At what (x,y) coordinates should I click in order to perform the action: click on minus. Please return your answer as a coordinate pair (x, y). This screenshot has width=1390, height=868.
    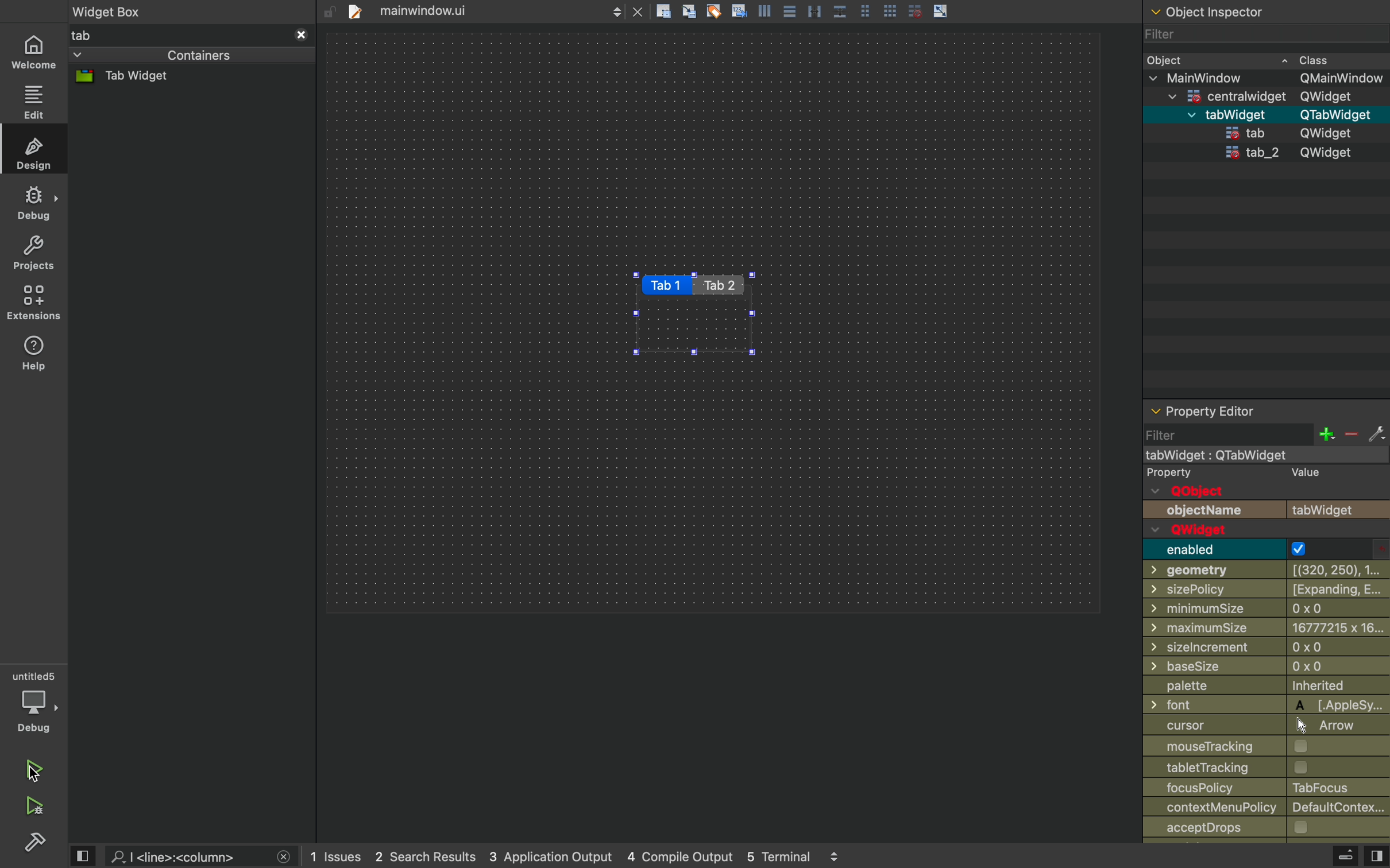
    Looking at the image, I should click on (1350, 435).